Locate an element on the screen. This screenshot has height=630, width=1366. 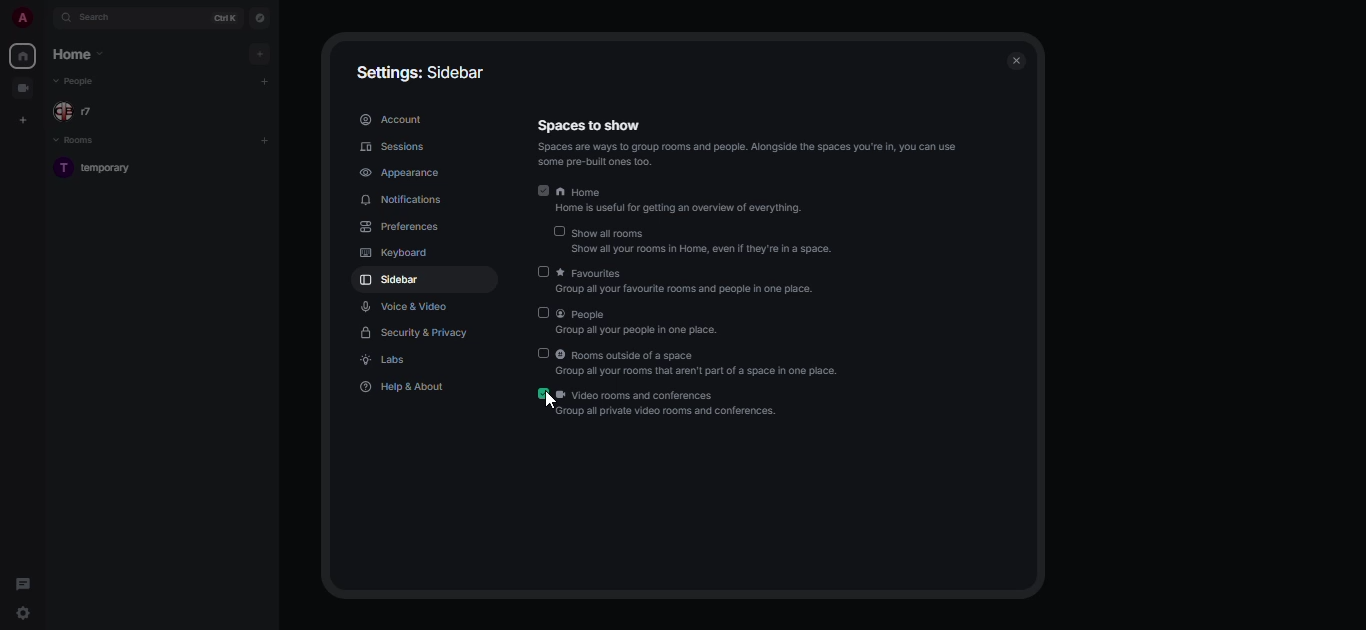
labs is located at coordinates (388, 361).